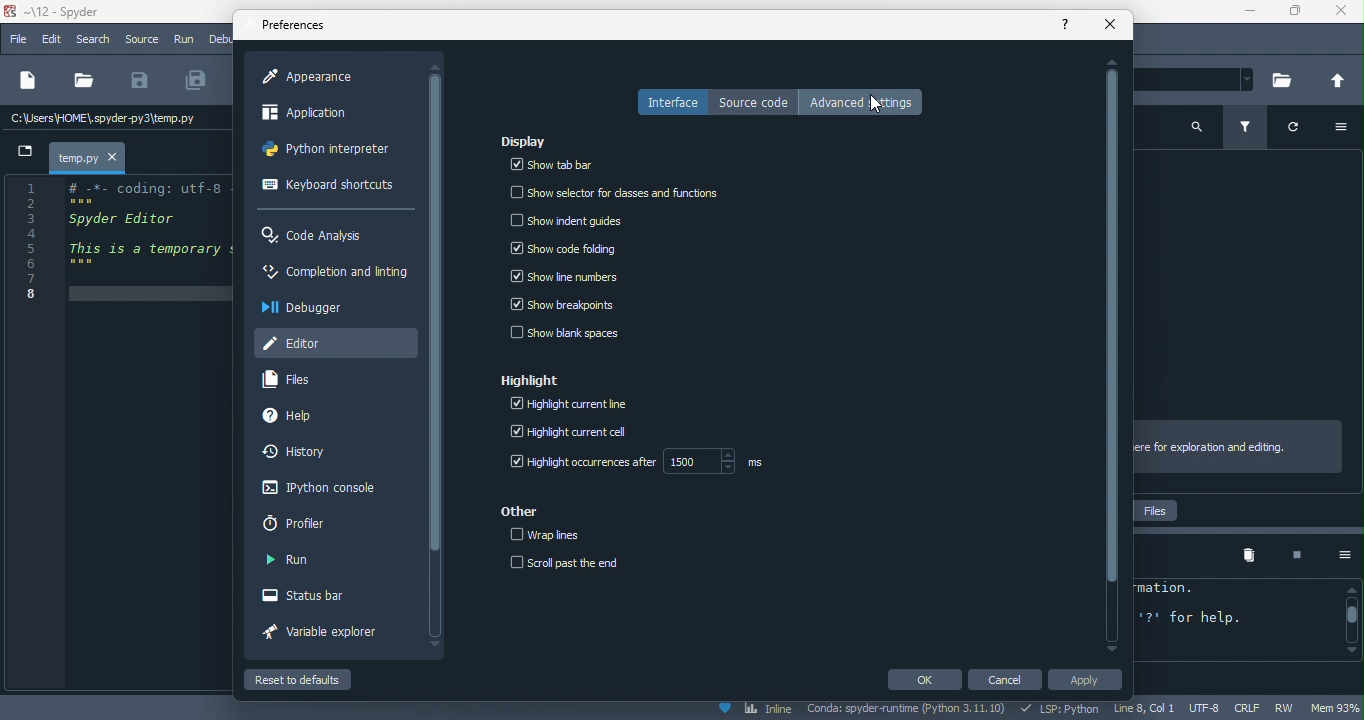 The height and width of the screenshot is (720, 1364). Describe the element at coordinates (1341, 14) in the screenshot. I see `close` at that location.